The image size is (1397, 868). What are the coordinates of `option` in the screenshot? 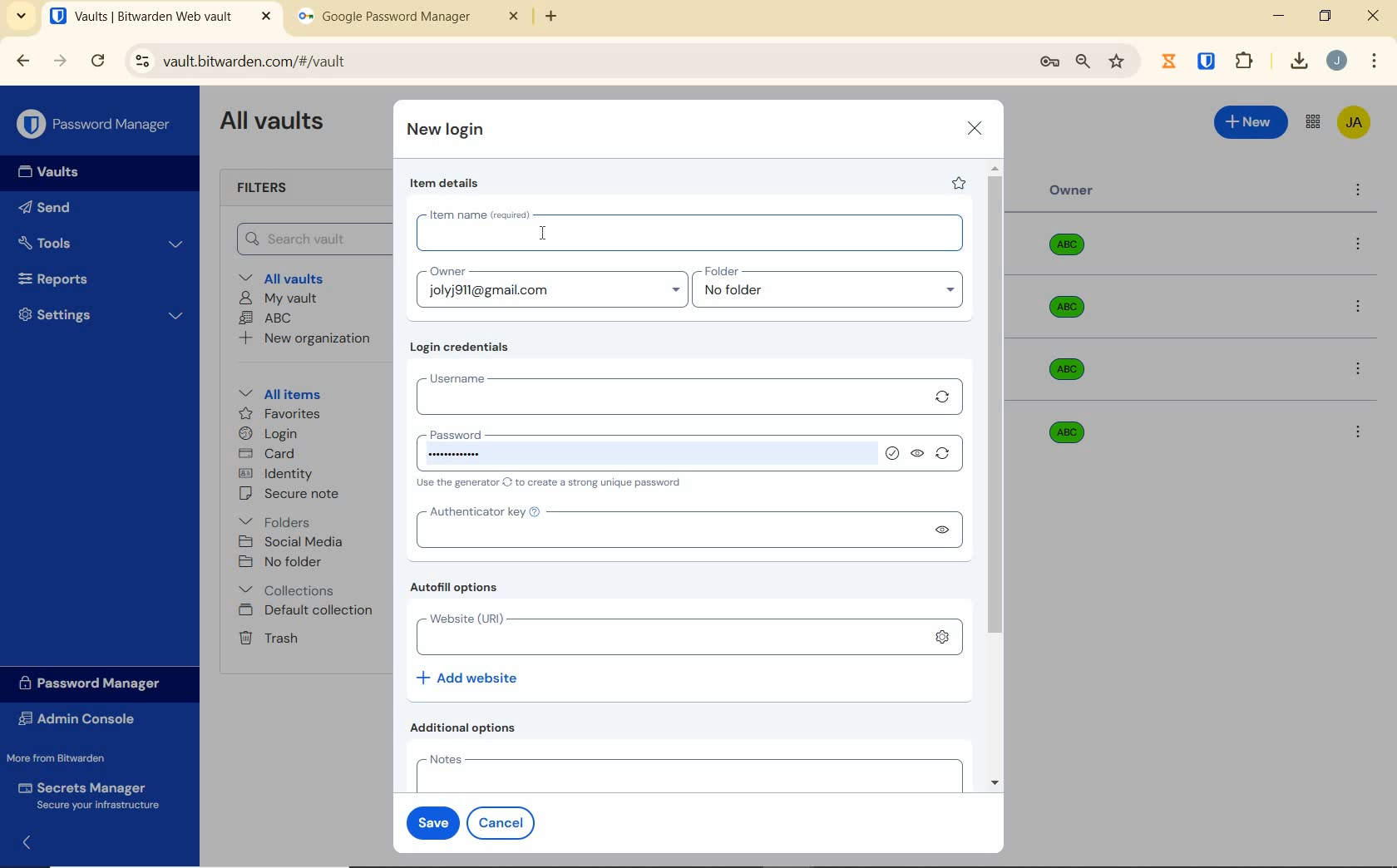 It's located at (1361, 245).